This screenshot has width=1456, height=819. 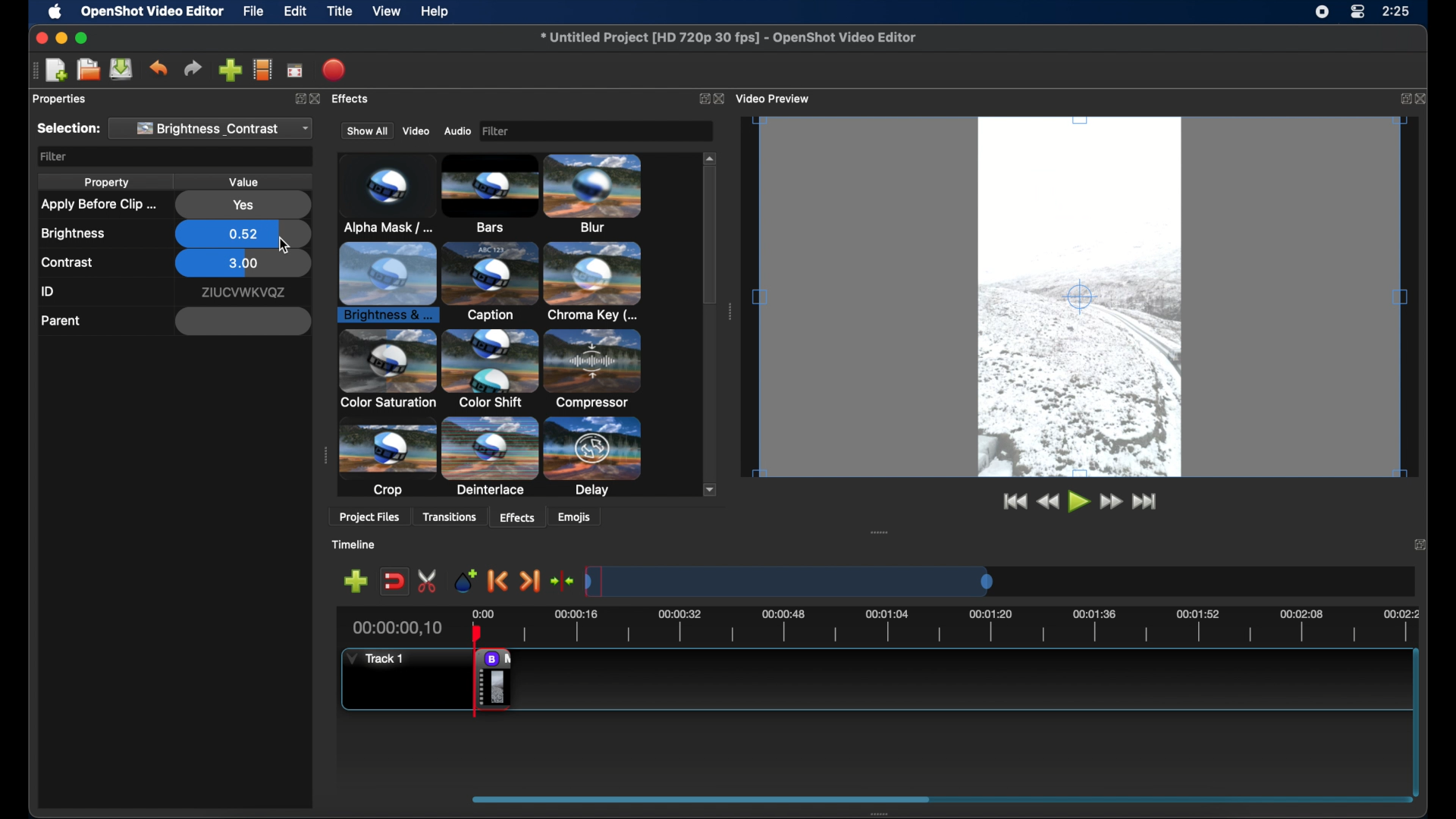 What do you see at coordinates (49, 292) in the screenshot?
I see `id` at bounding box center [49, 292].